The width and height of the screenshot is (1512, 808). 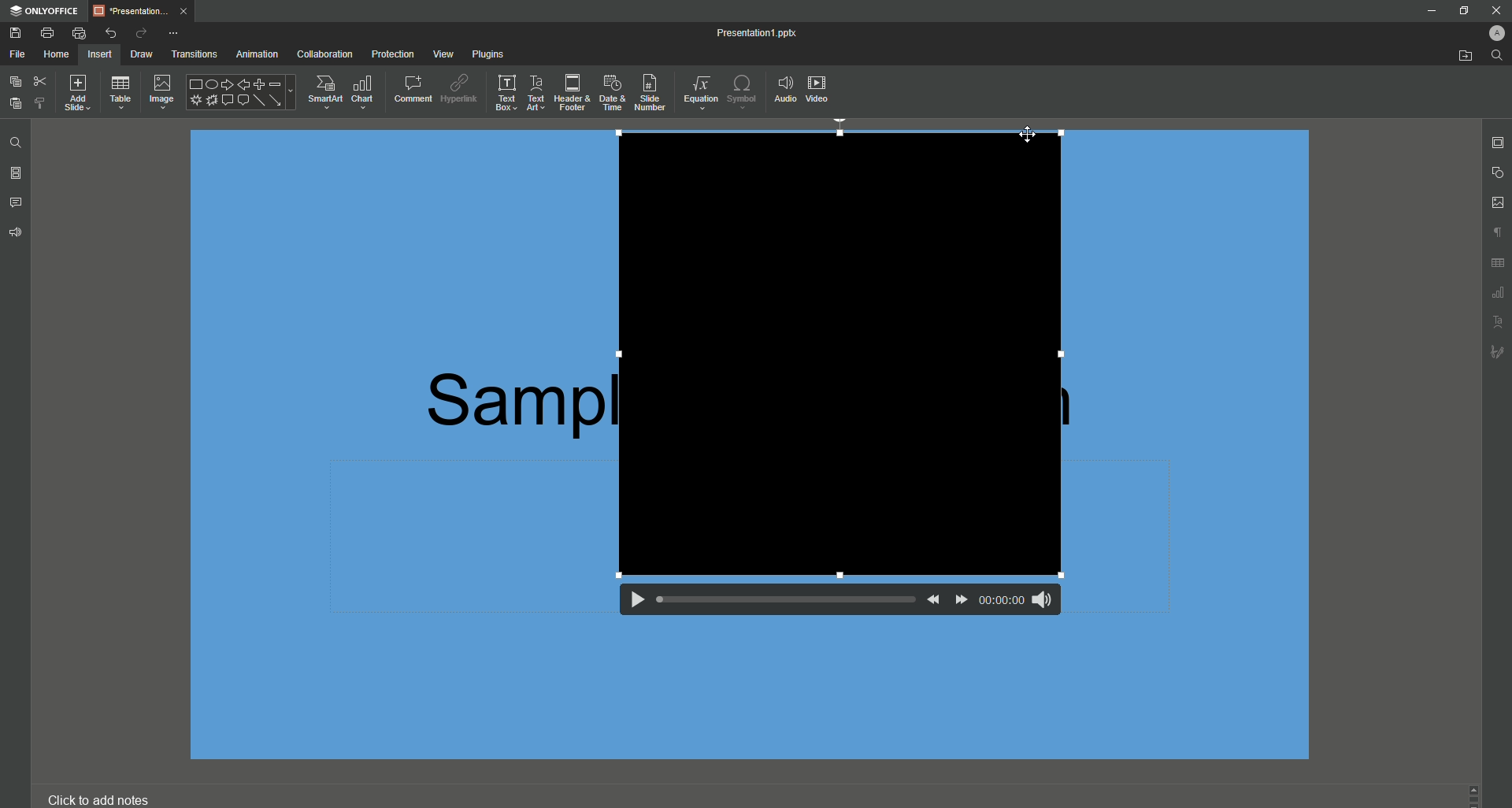 What do you see at coordinates (487, 53) in the screenshot?
I see `Plugins` at bounding box center [487, 53].